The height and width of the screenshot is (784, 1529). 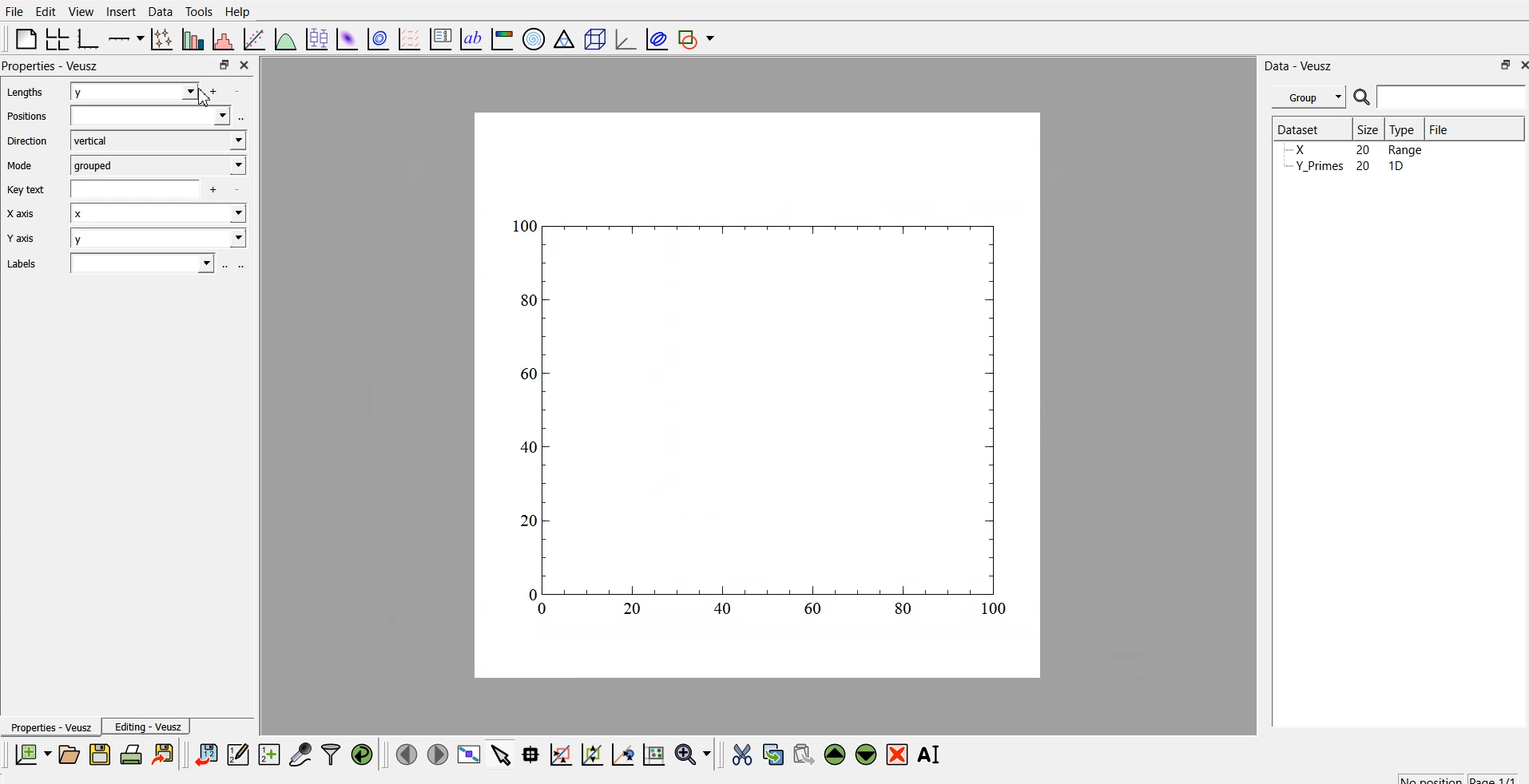 What do you see at coordinates (1519, 66) in the screenshot?
I see `close` at bounding box center [1519, 66].